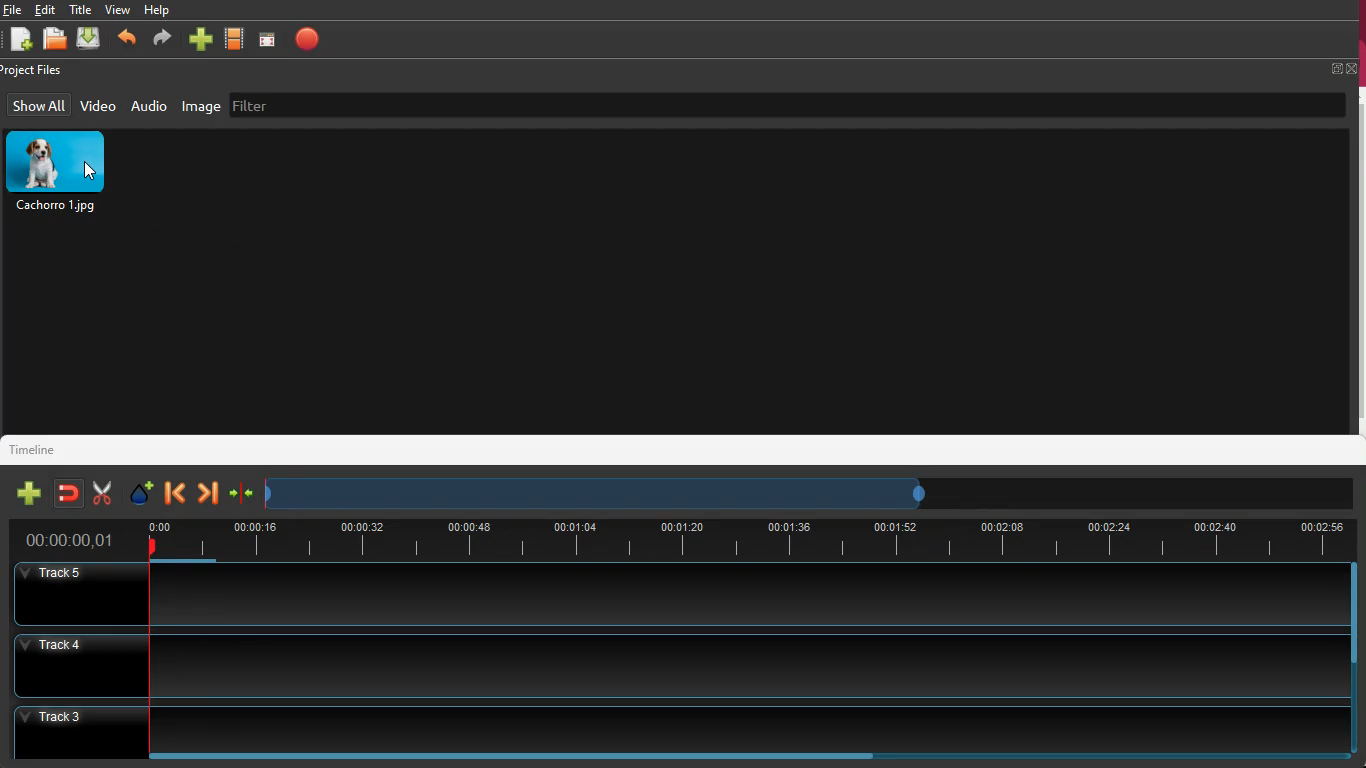 The image size is (1366, 768). Describe the element at coordinates (202, 560) in the screenshot. I see `horizontal scroll bar` at that location.